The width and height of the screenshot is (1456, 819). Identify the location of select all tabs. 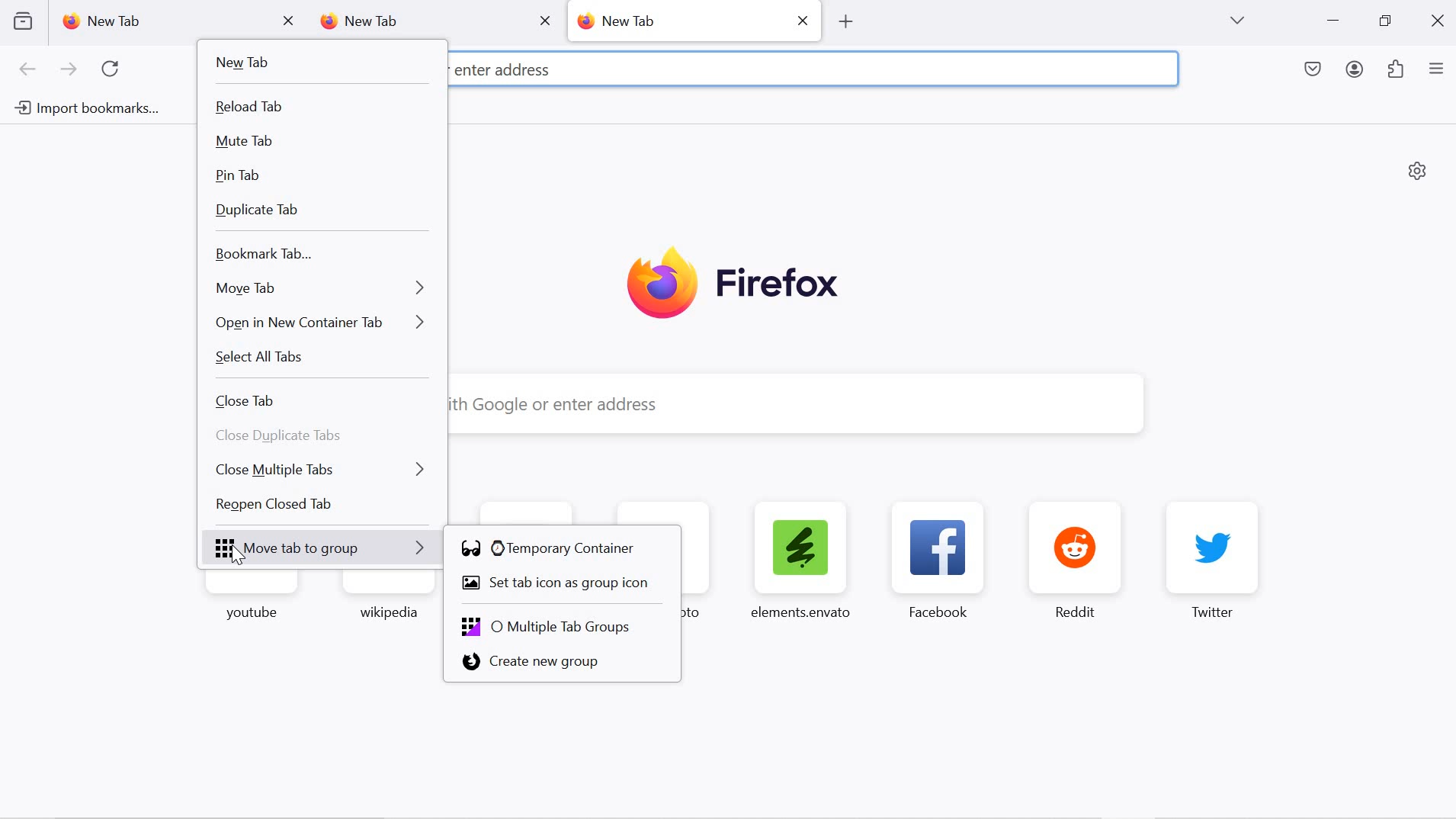
(321, 361).